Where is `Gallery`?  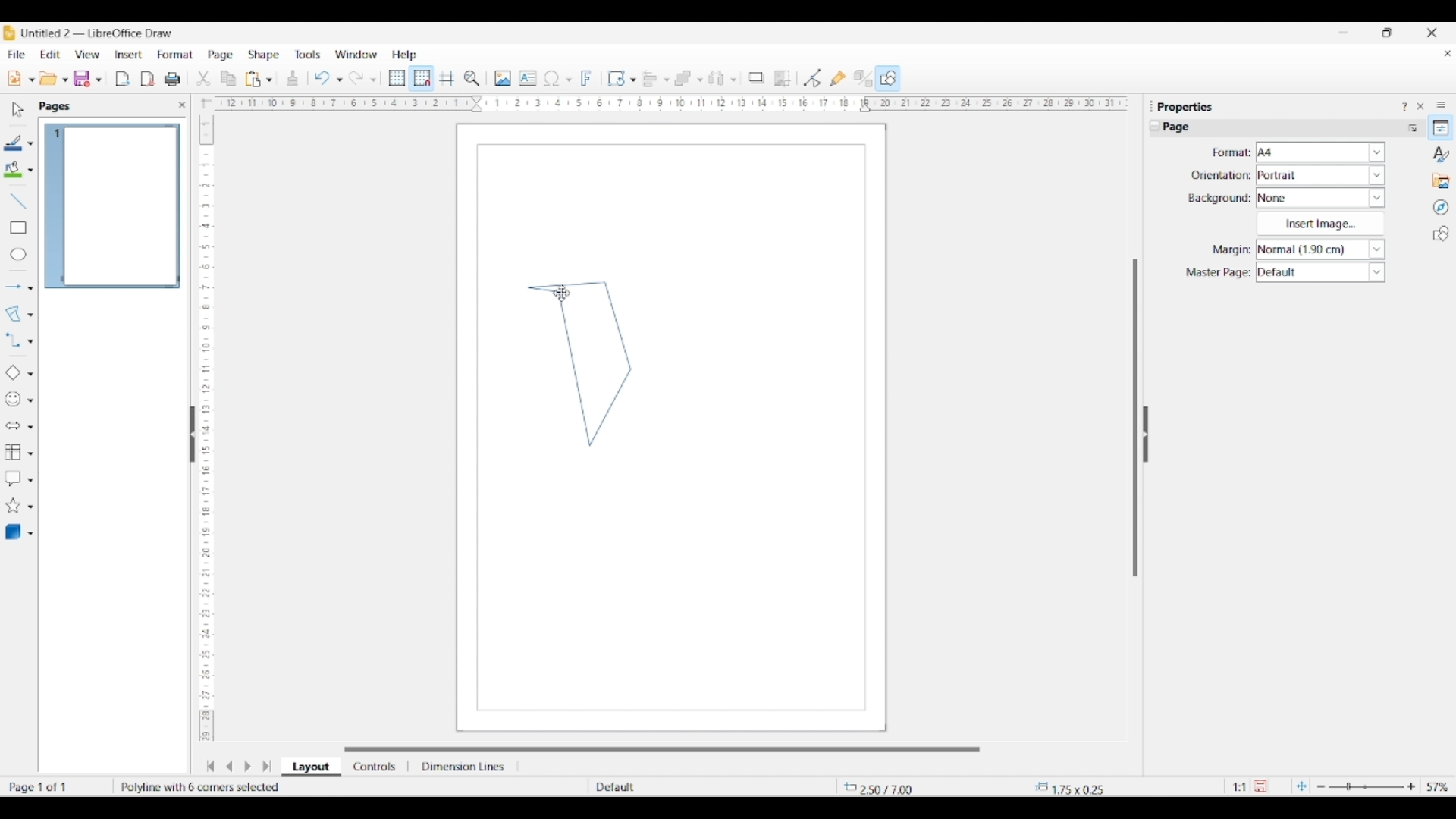 Gallery is located at coordinates (1441, 180).